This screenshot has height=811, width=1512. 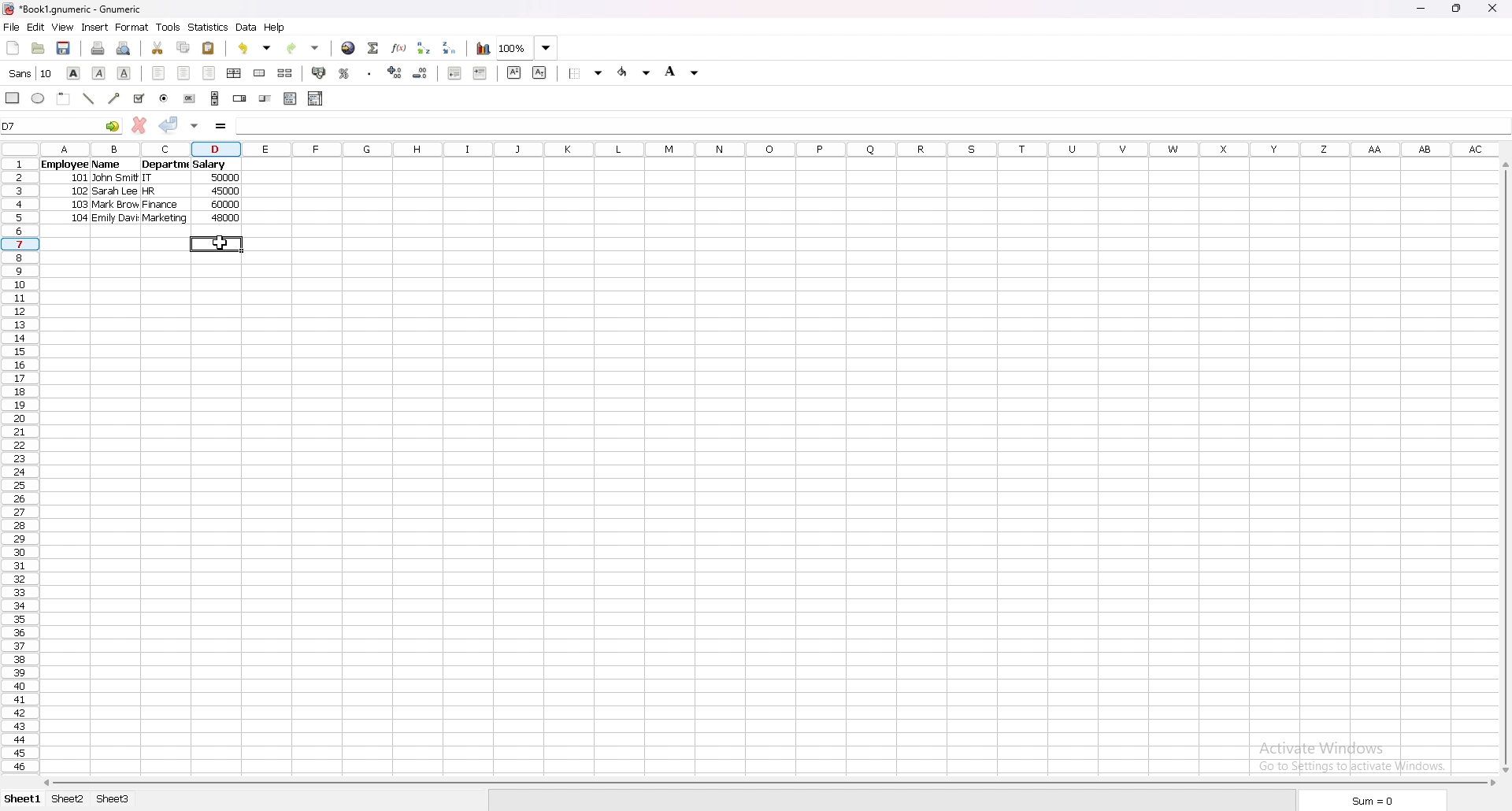 What do you see at coordinates (132, 27) in the screenshot?
I see `format` at bounding box center [132, 27].